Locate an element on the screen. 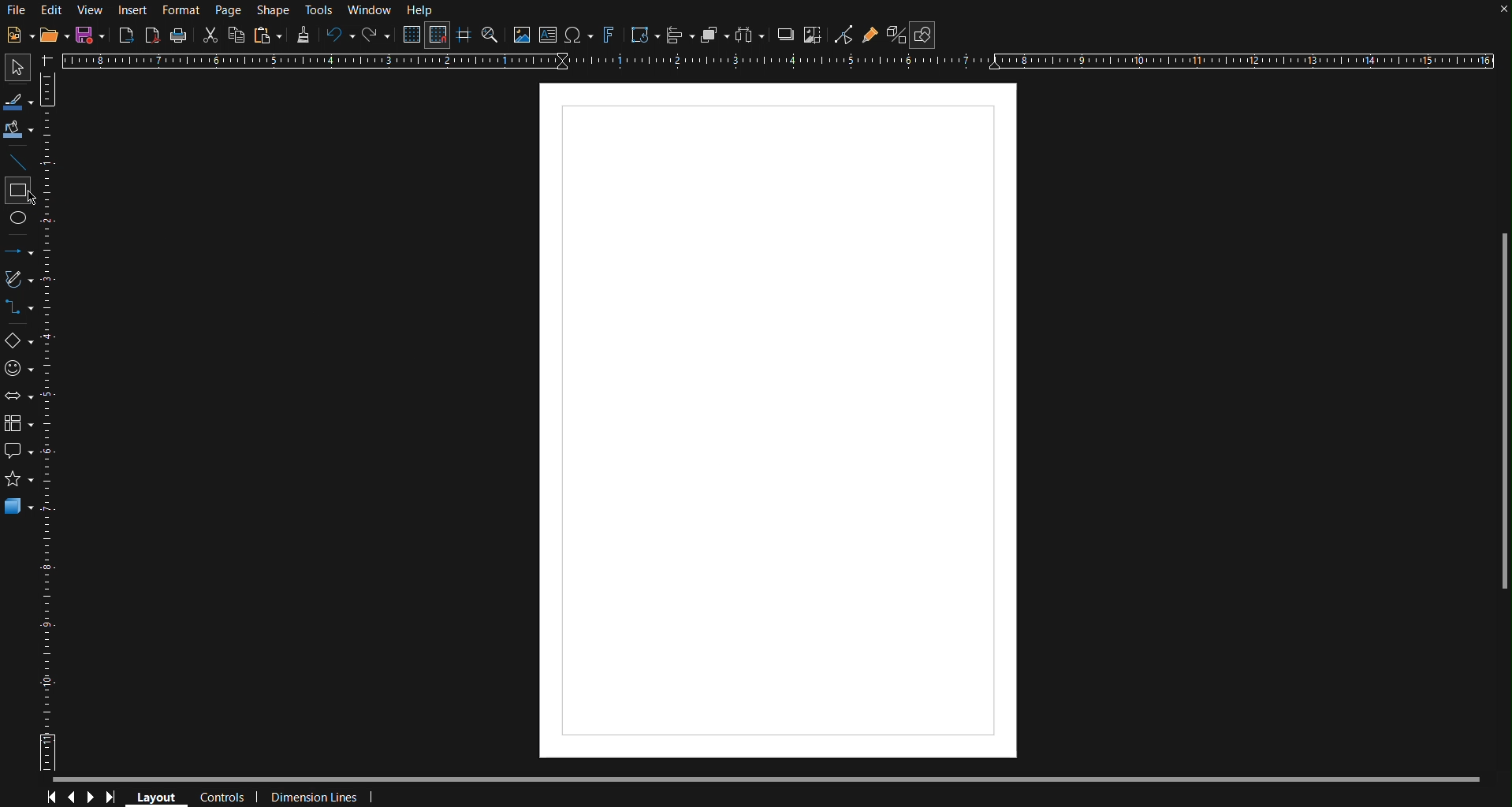 This screenshot has width=1512, height=807. Insert Image is located at coordinates (520, 34).